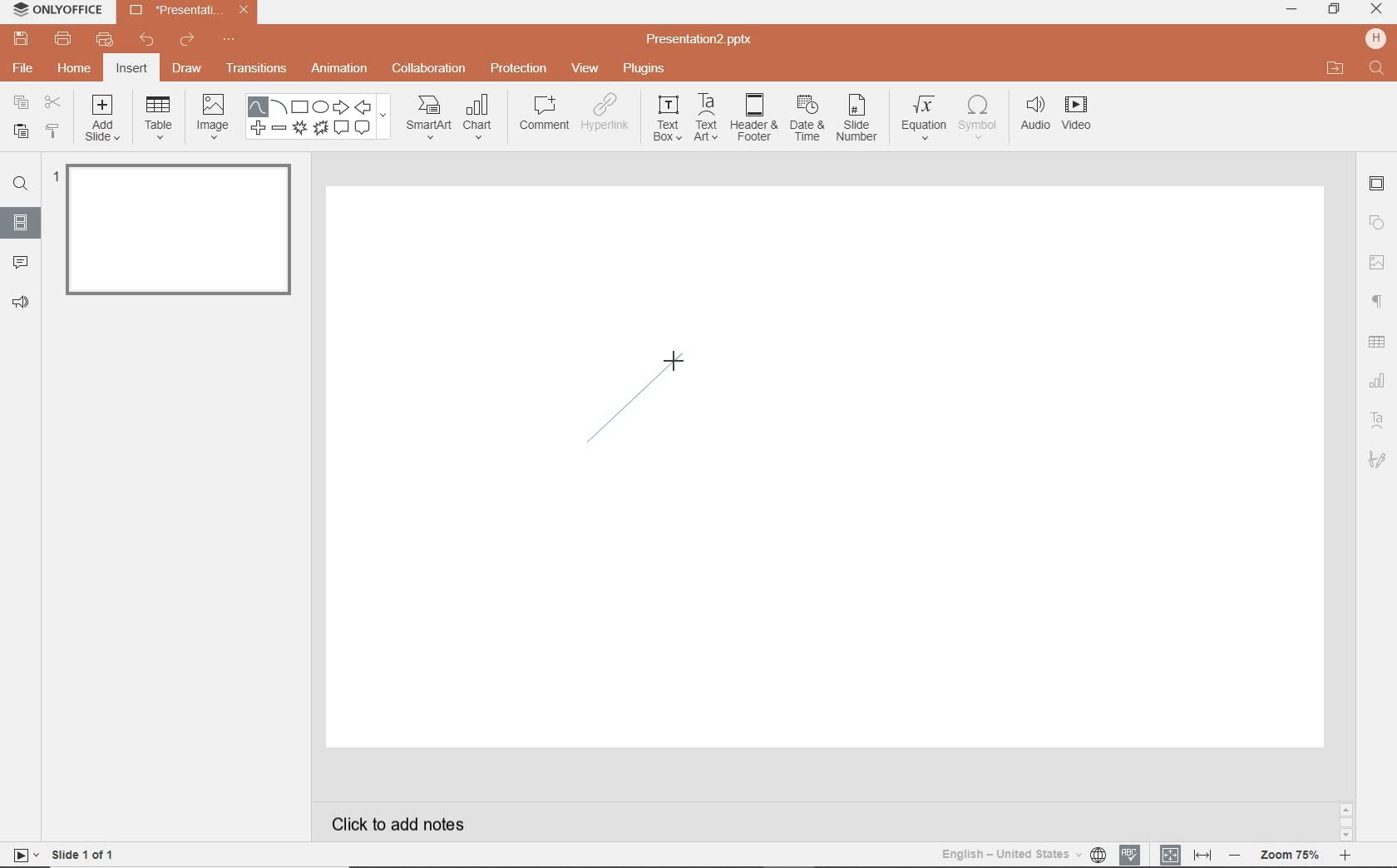 The width and height of the screenshot is (1397, 868). What do you see at coordinates (52, 102) in the screenshot?
I see `CUT` at bounding box center [52, 102].